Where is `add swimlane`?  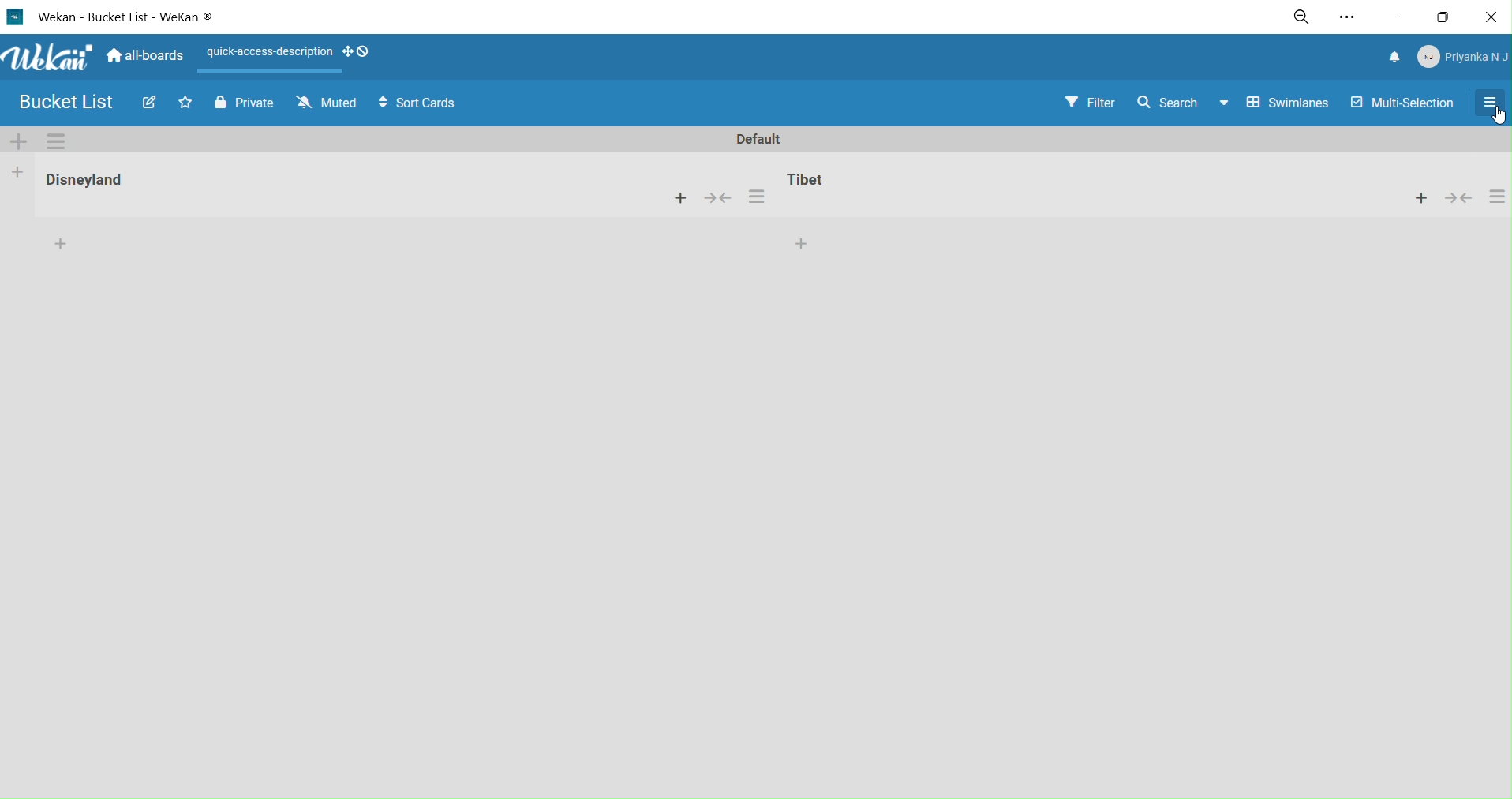 add swimlane is located at coordinates (21, 140).